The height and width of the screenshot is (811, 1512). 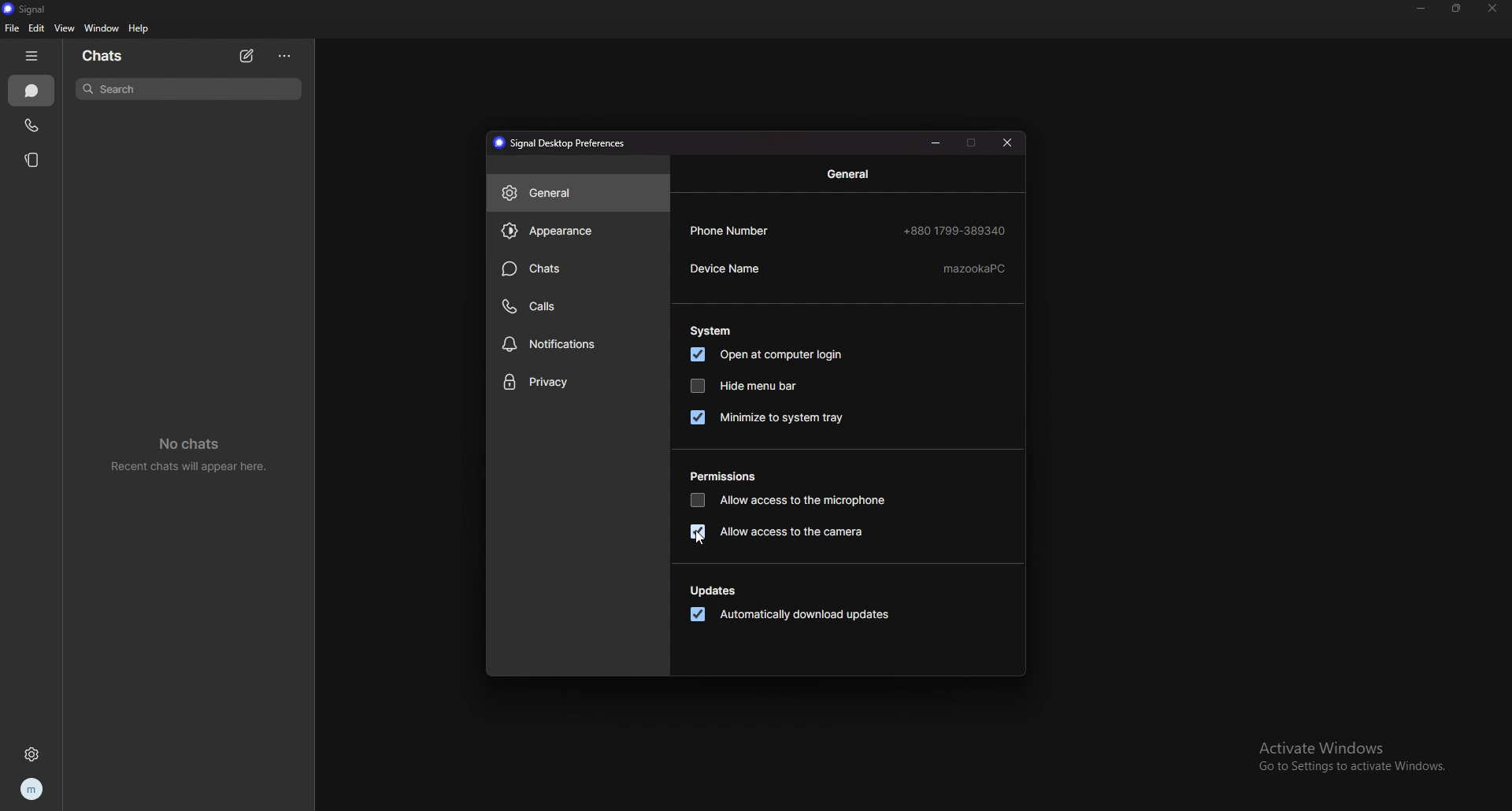 What do you see at coordinates (562, 143) in the screenshot?
I see `signal desktop preferences` at bounding box center [562, 143].